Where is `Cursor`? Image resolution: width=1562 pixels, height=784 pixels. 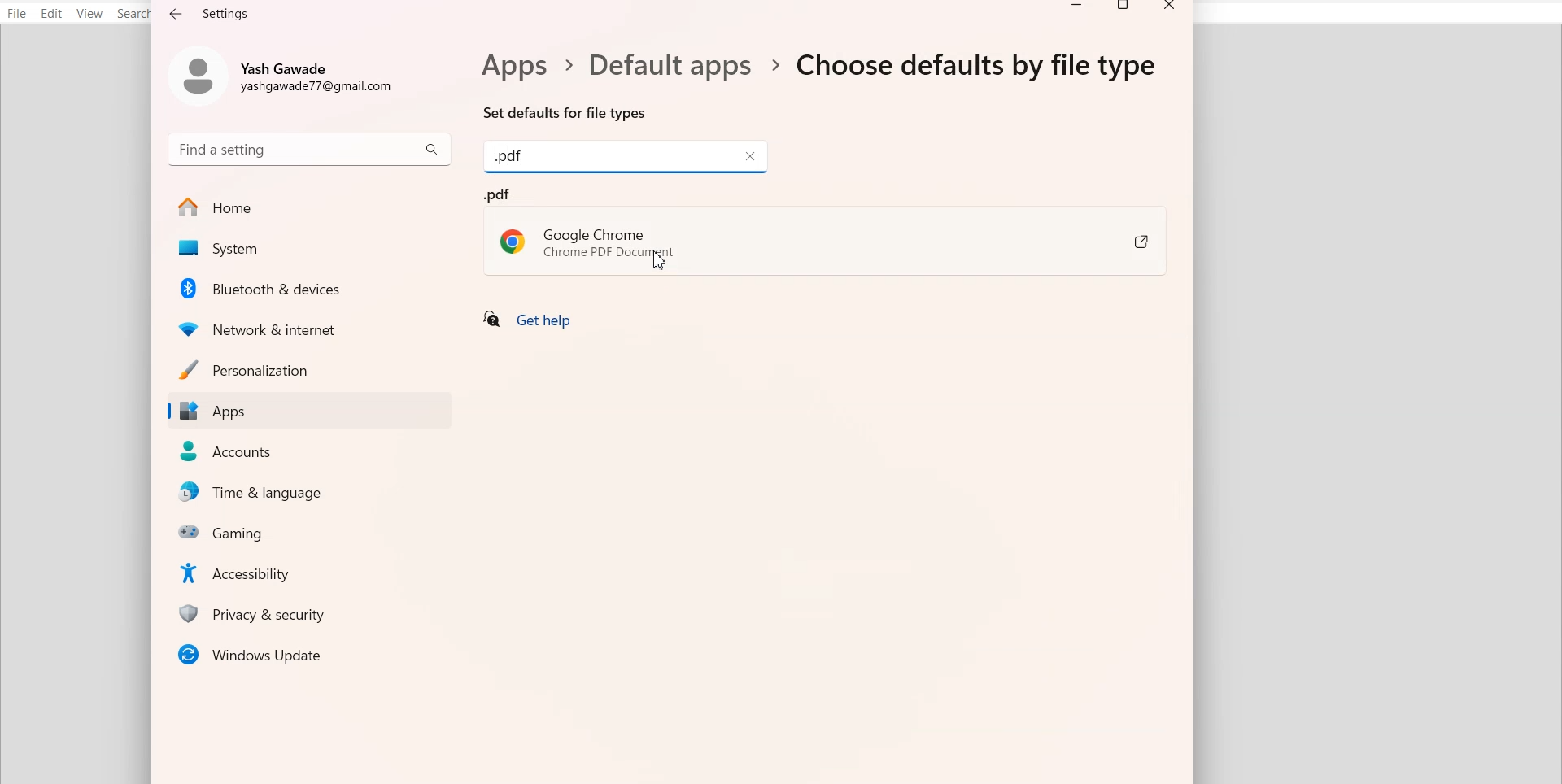 Cursor is located at coordinates (659, 260).